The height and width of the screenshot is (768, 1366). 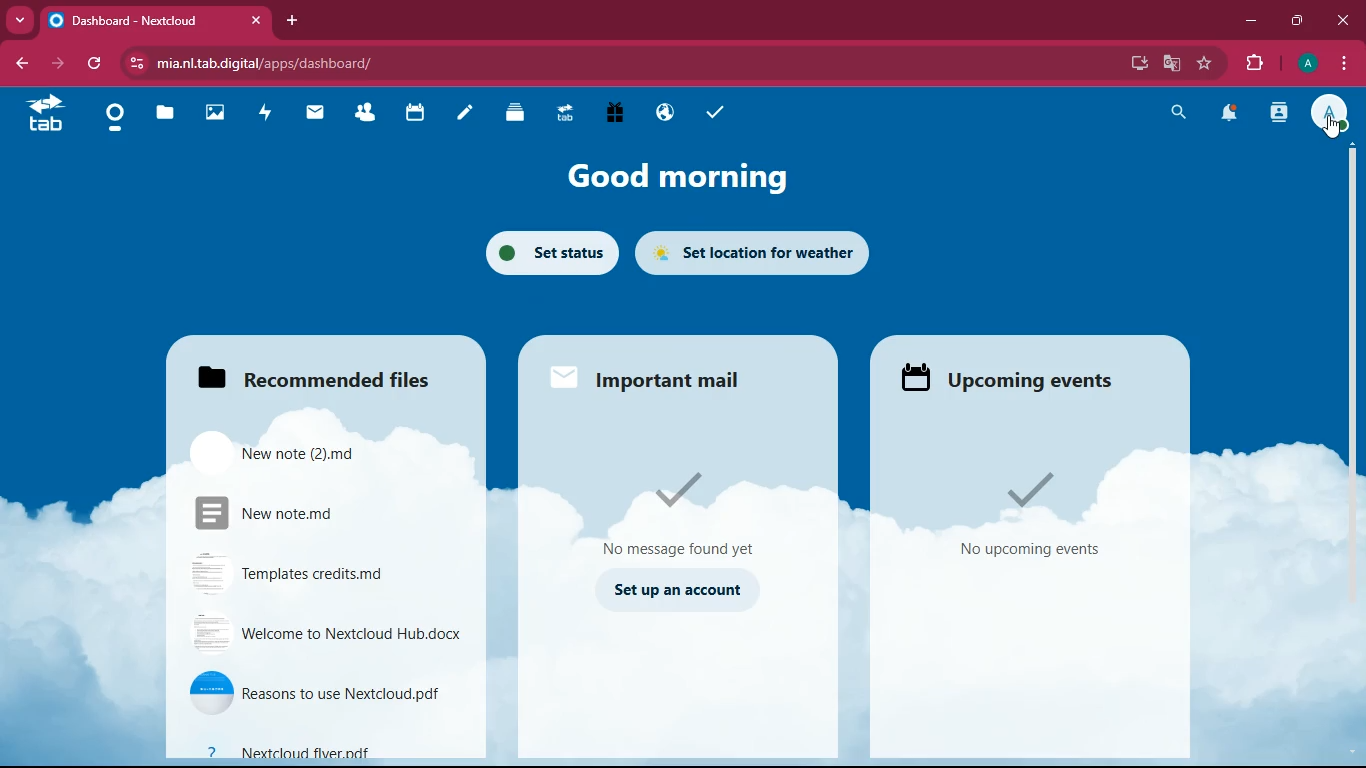 What do you see at coordinates (1306, 64) in the screenshot?
I see `profile` at bounding box center [1306, 64].